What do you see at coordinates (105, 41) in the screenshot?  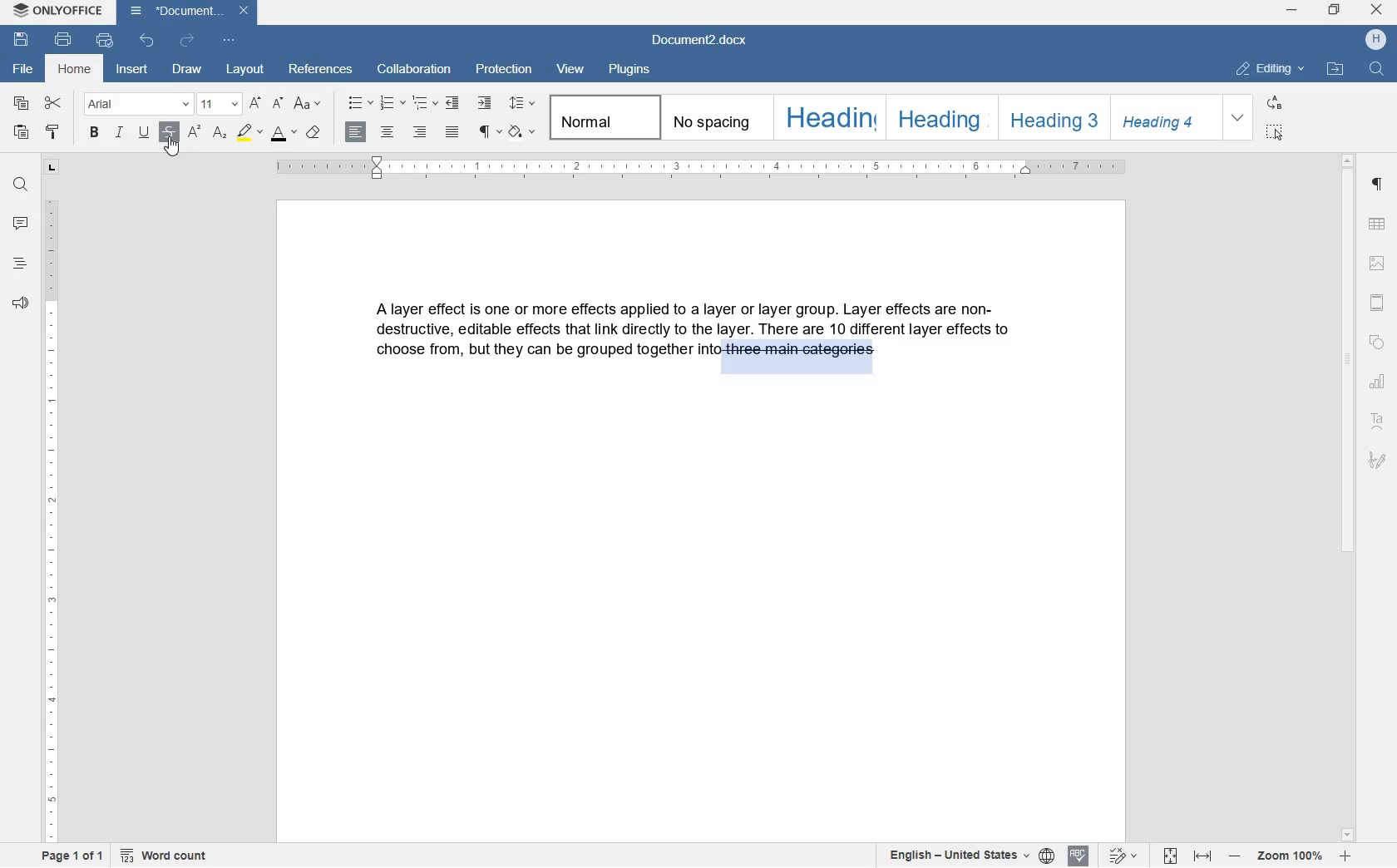 I see `quick print` at bounding box center [105, 41].